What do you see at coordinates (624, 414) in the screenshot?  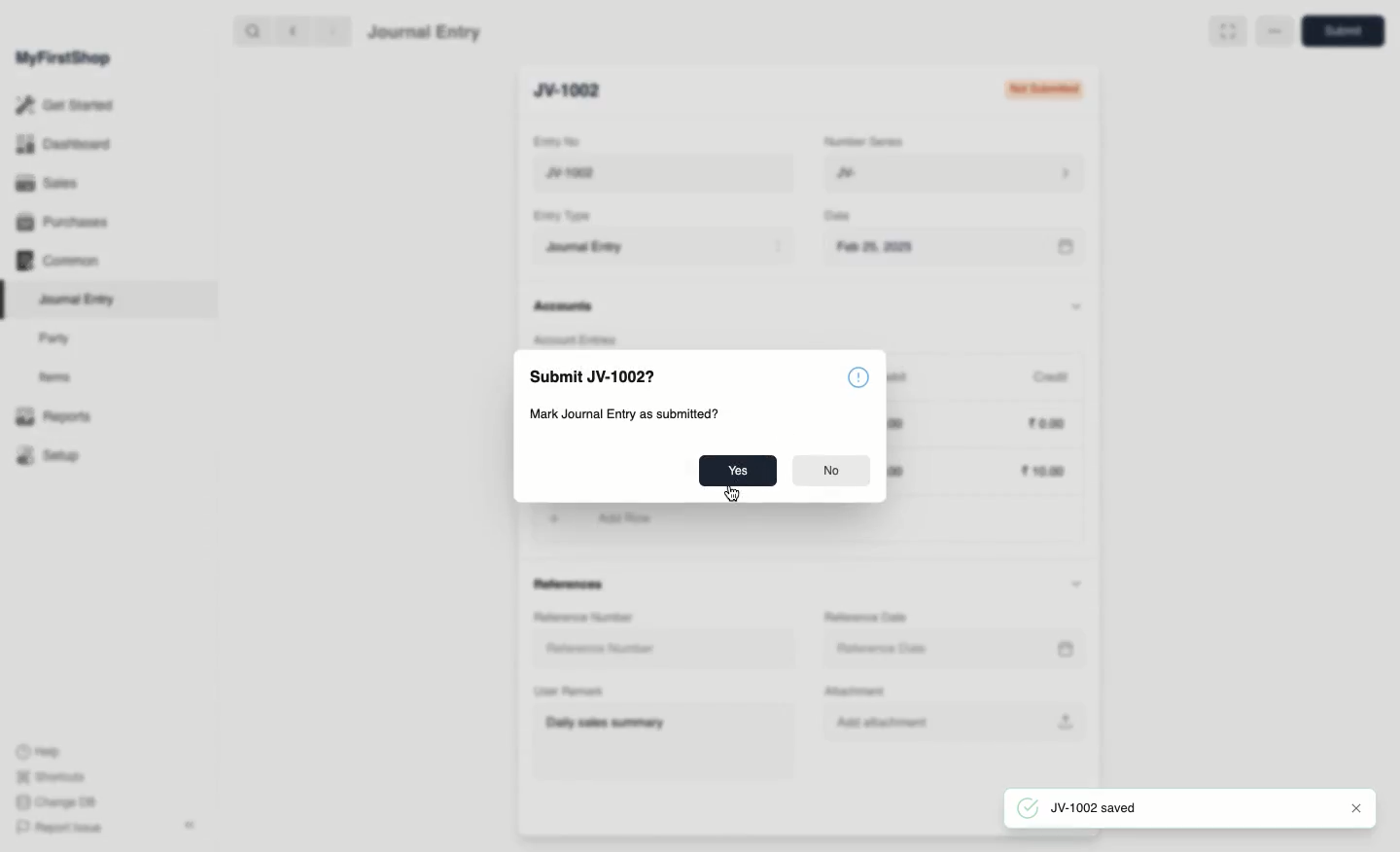 I see `Mark Journal Entry as submitted?` at bounding box center [624, 414].